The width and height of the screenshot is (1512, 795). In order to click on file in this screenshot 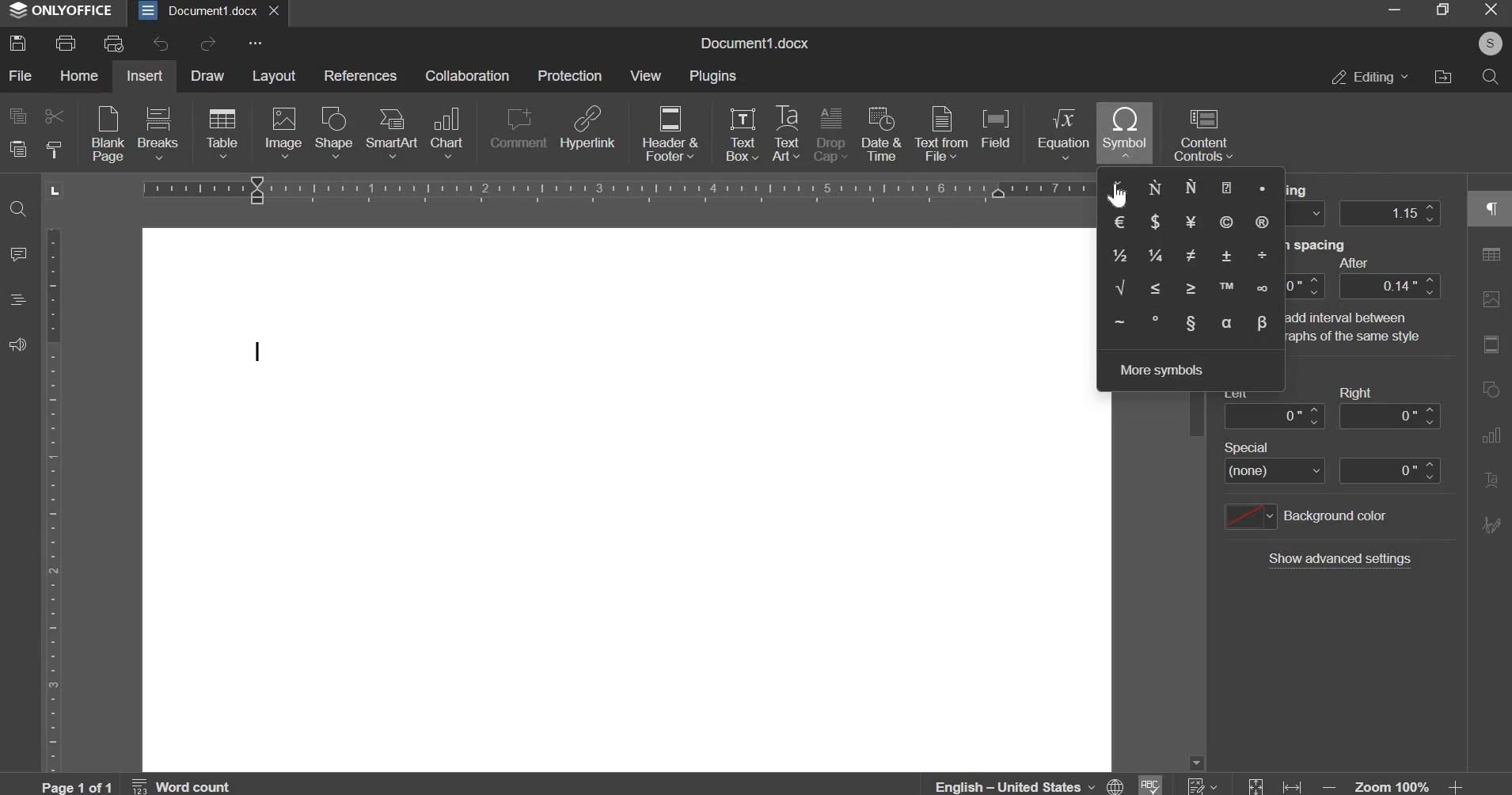, I will do `click(19, 74)`.